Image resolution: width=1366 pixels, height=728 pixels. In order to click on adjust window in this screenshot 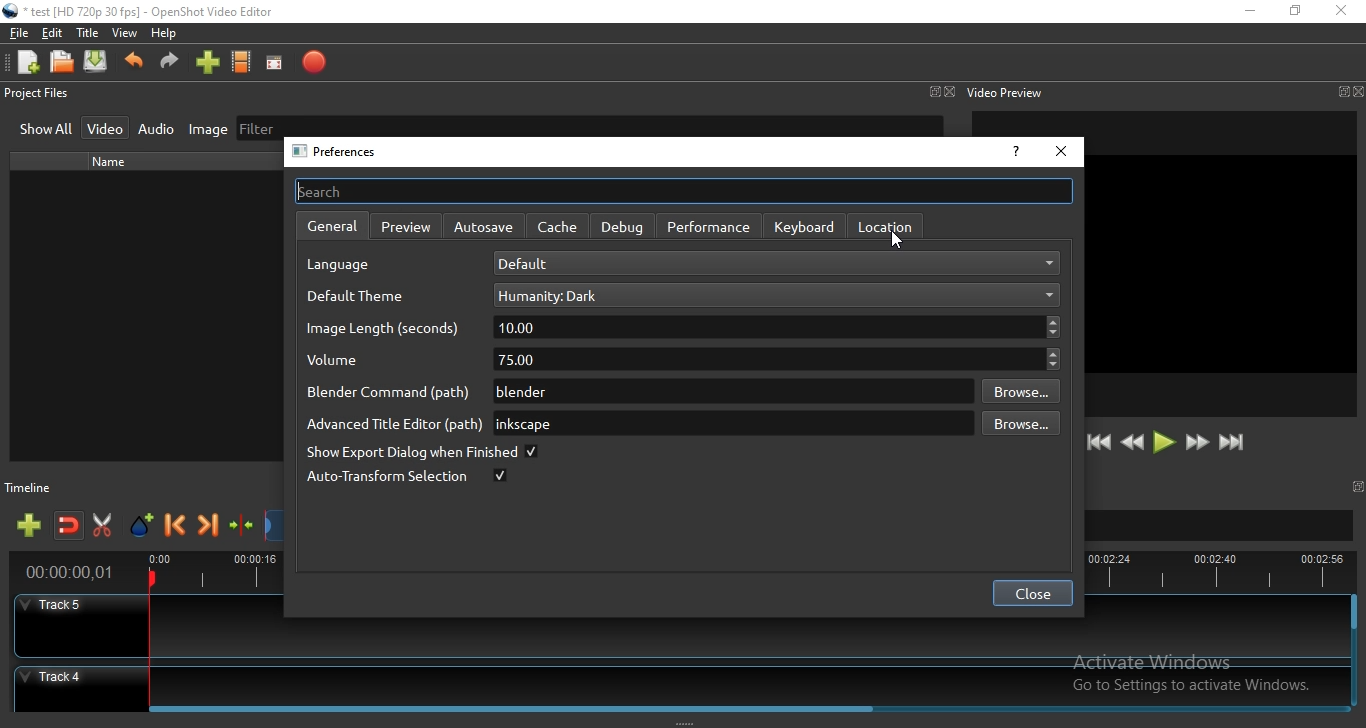, I will do `click(957, 282)`.